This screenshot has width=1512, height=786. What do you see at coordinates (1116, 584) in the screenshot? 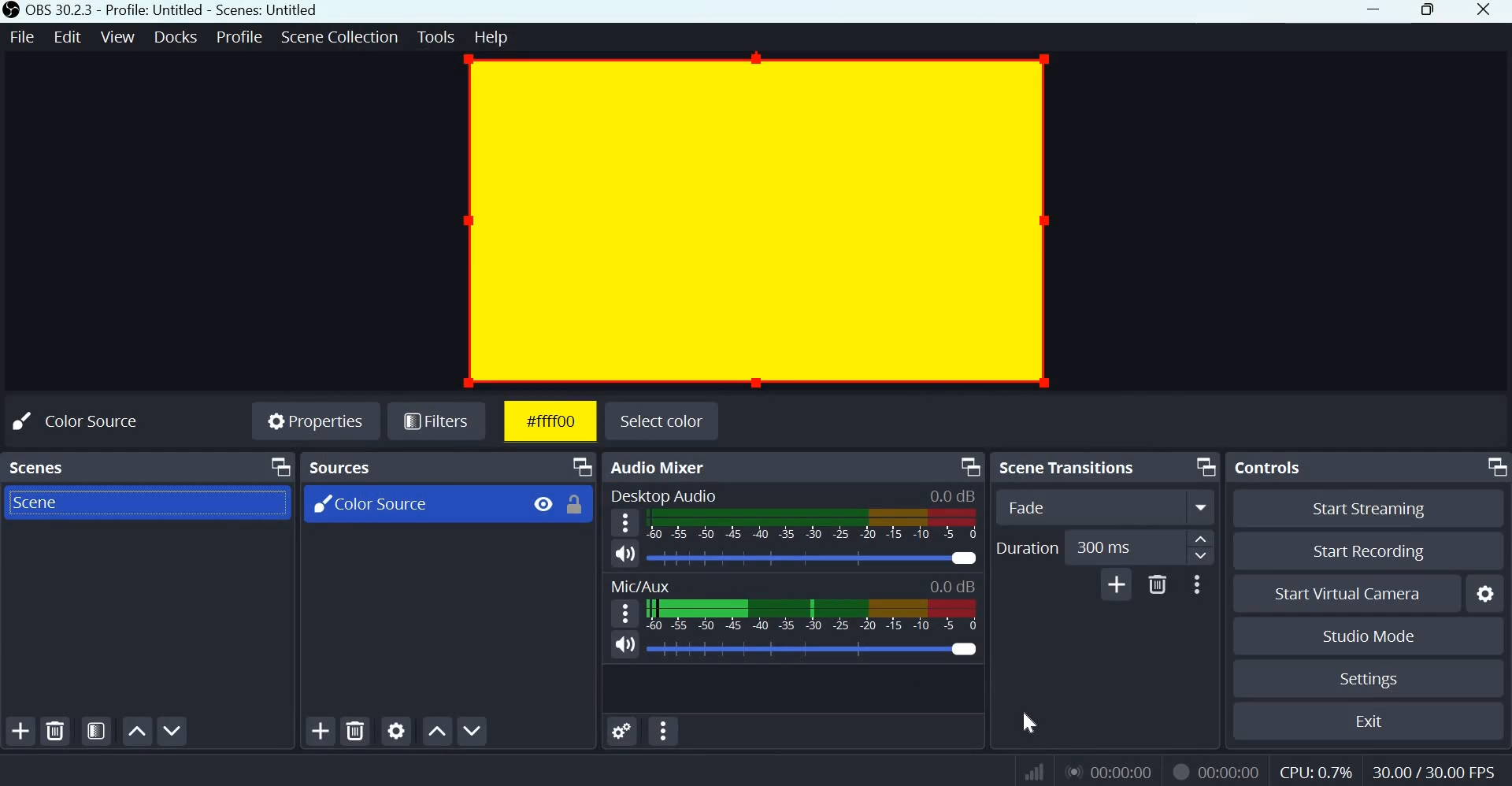
I see `Add Transition` at bounding box center [1116, 584].